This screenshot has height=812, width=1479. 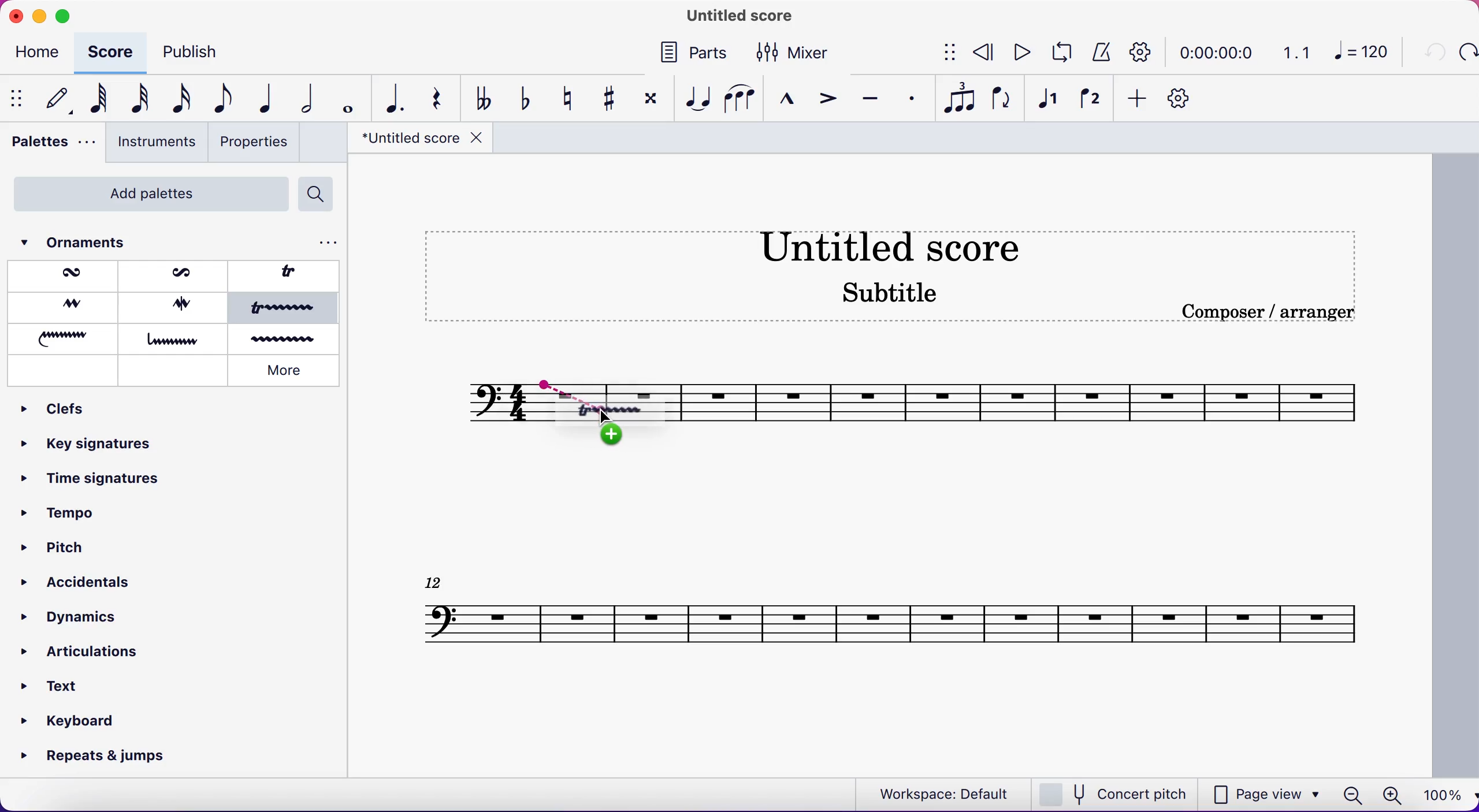 What do you see at coordinates (1002, 100) in the screenshot?
I see `flip direction` at bounding box center [1002, 100].